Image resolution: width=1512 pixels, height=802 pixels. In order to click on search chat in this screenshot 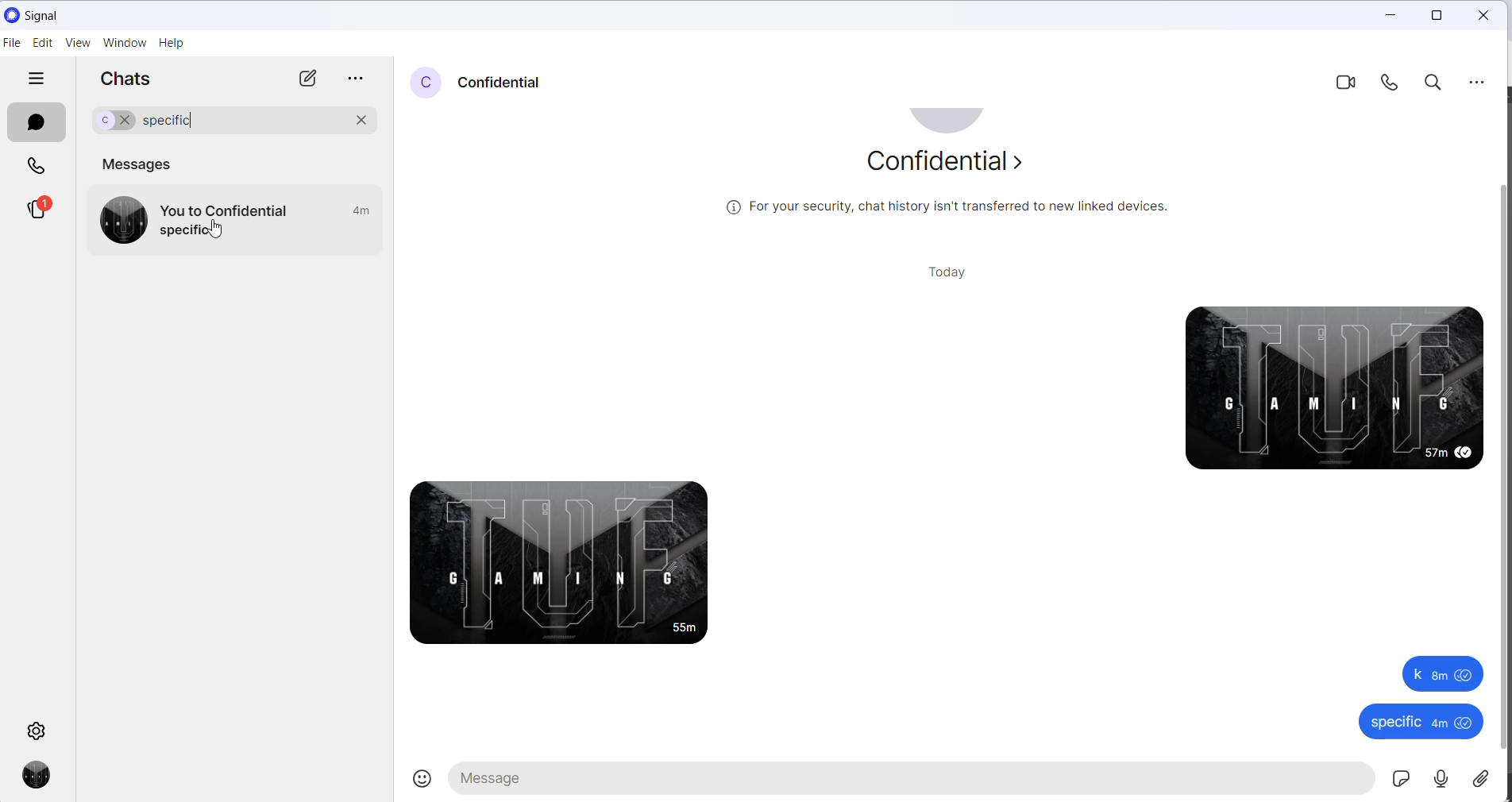, I will do `click(300, 122)`.